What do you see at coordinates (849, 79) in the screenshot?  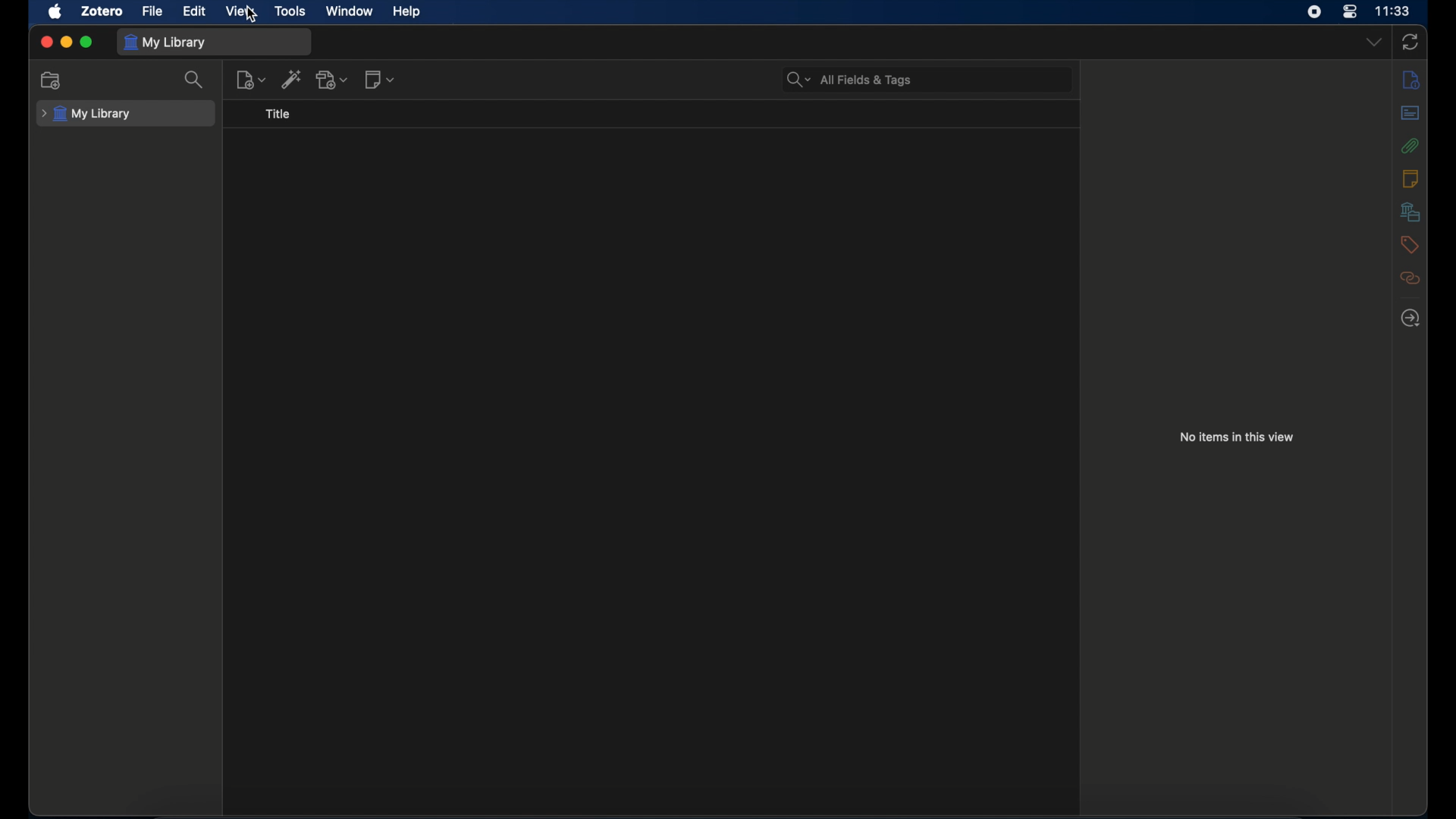 I see `search bar` at bounding box center [849, 79].